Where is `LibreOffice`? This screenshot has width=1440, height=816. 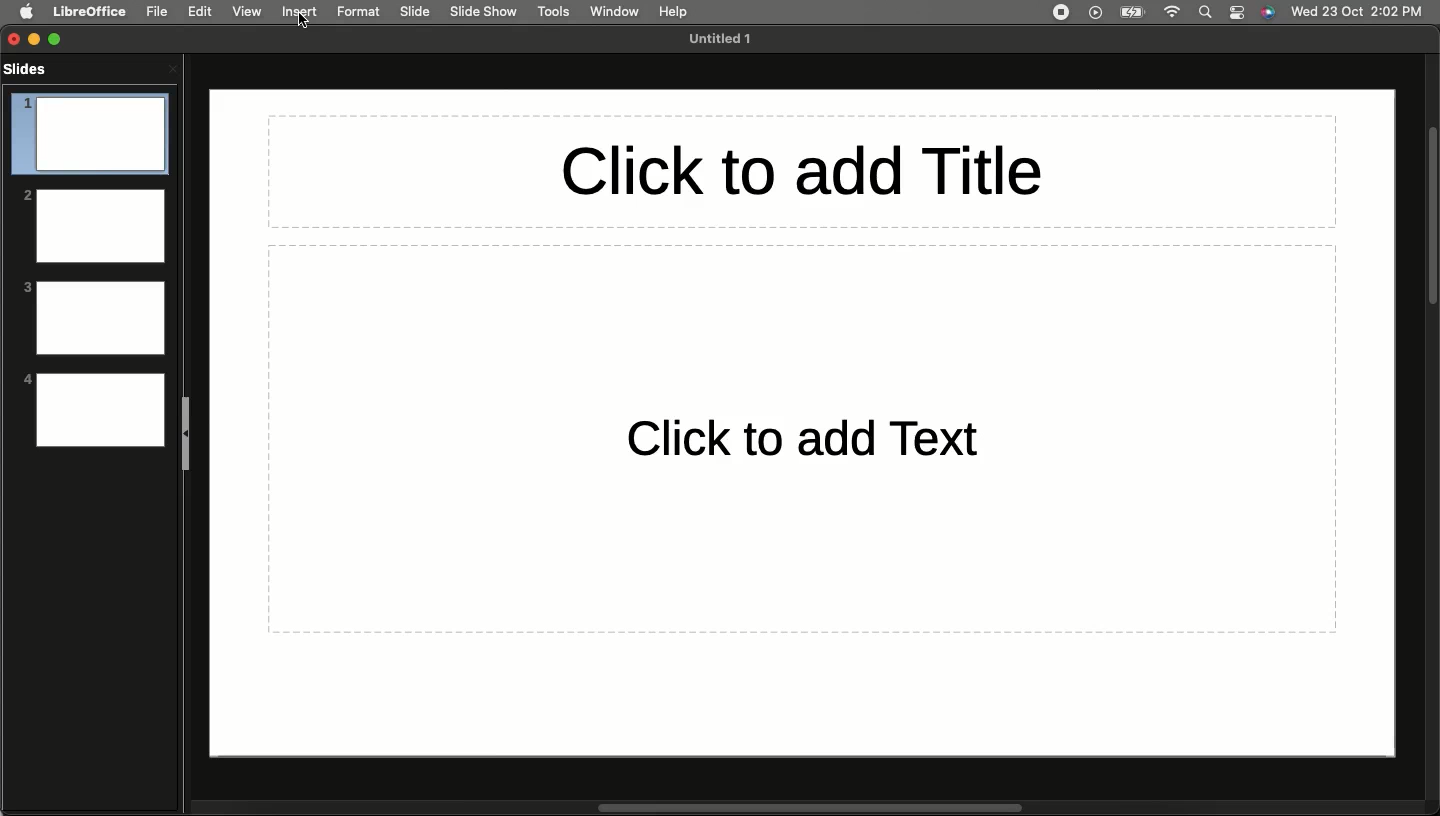
LibreOffice is located at coordinates (88, 11).